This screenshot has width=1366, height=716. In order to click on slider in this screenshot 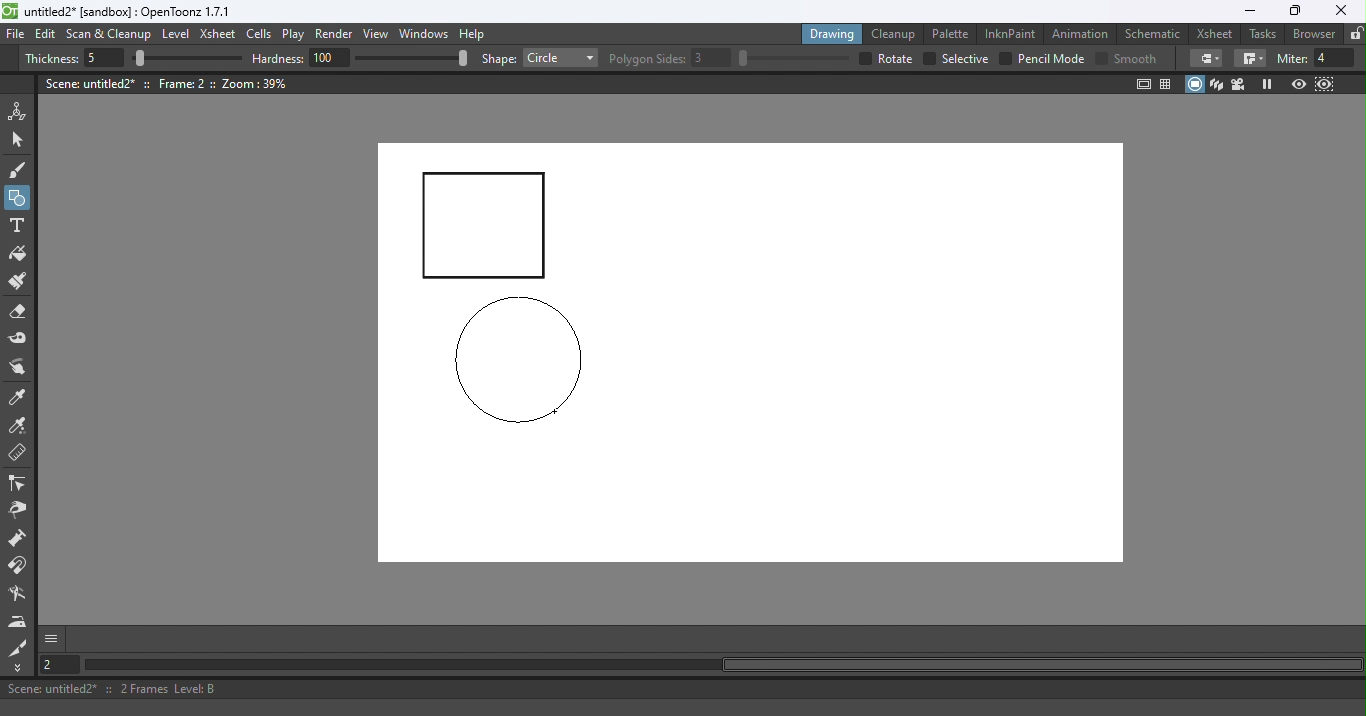, I will do `click(793, 58)`.